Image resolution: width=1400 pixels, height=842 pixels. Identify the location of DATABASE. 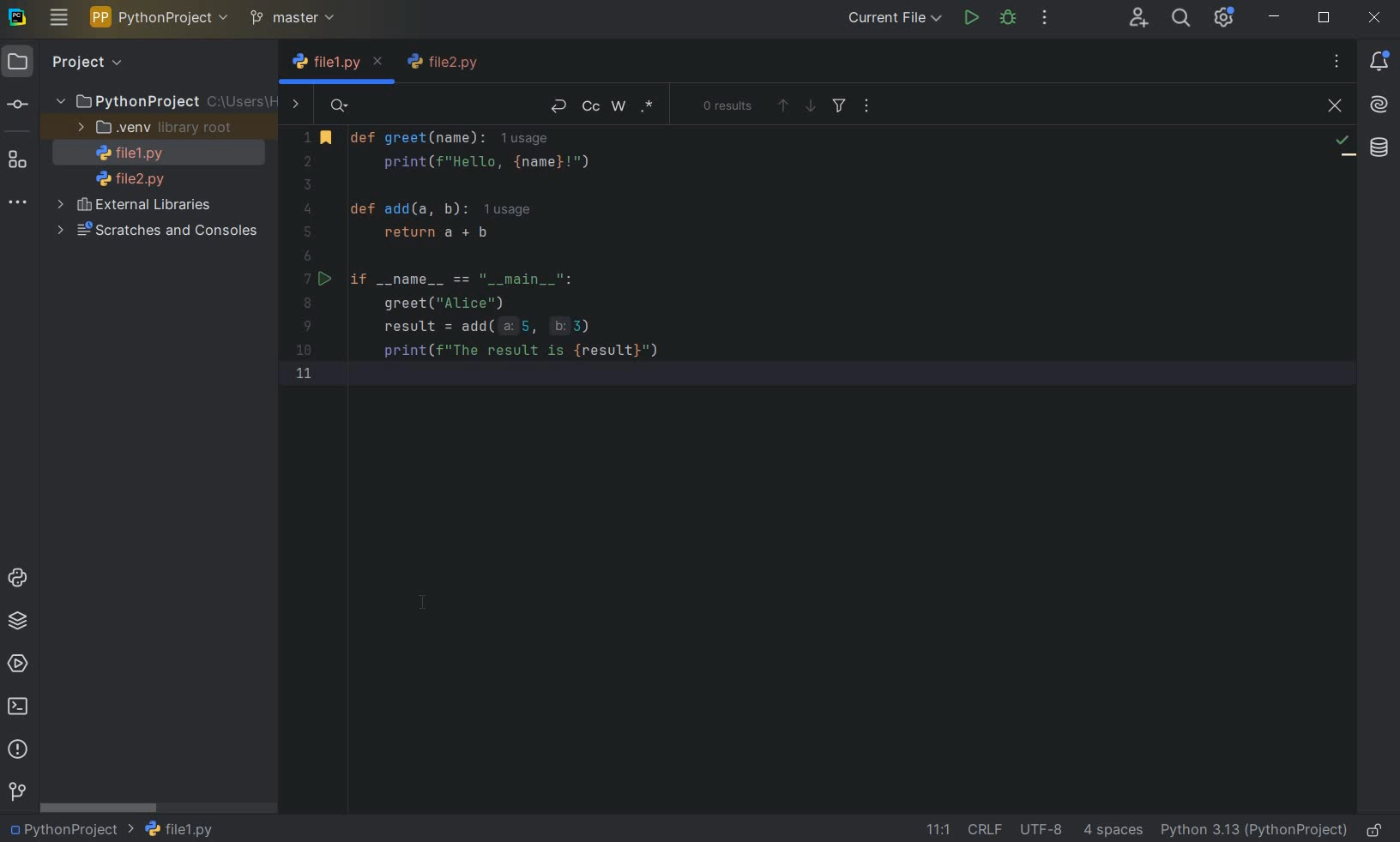
(1379, 147).